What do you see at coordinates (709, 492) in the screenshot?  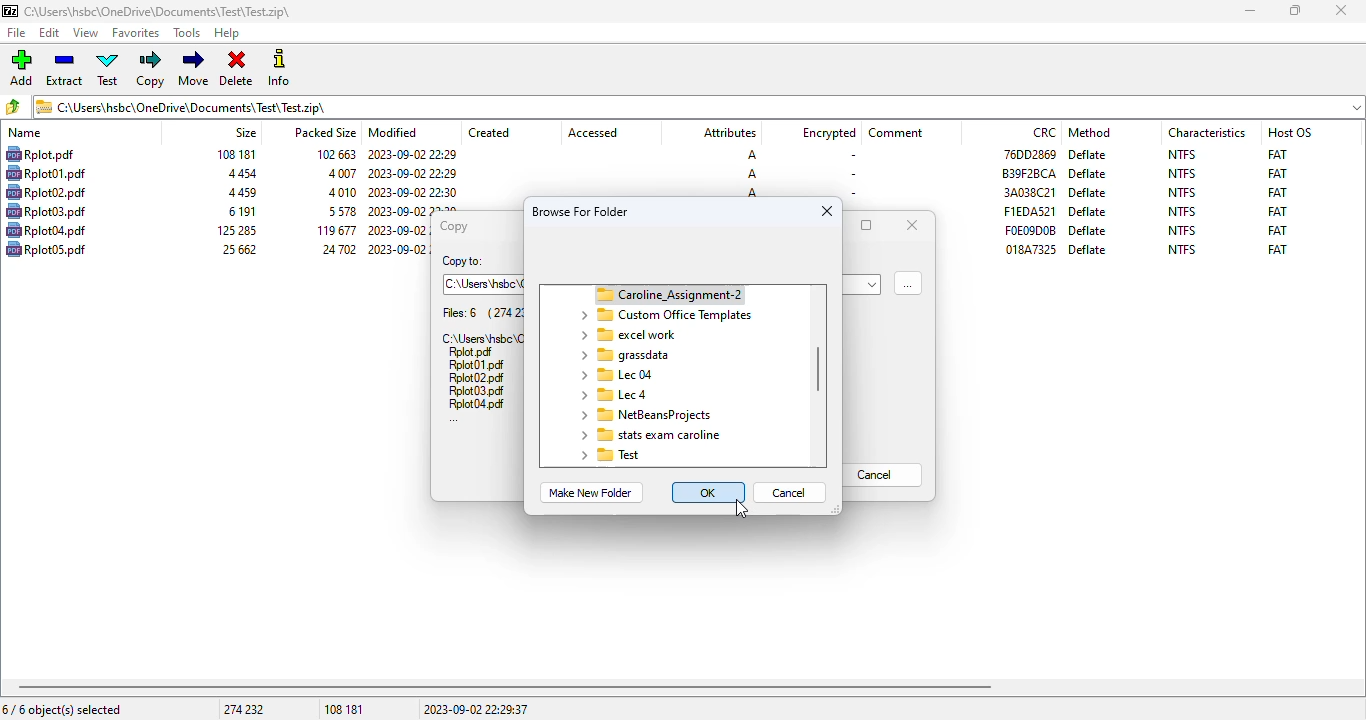 I see `OK` at bounding box center [709, 492].